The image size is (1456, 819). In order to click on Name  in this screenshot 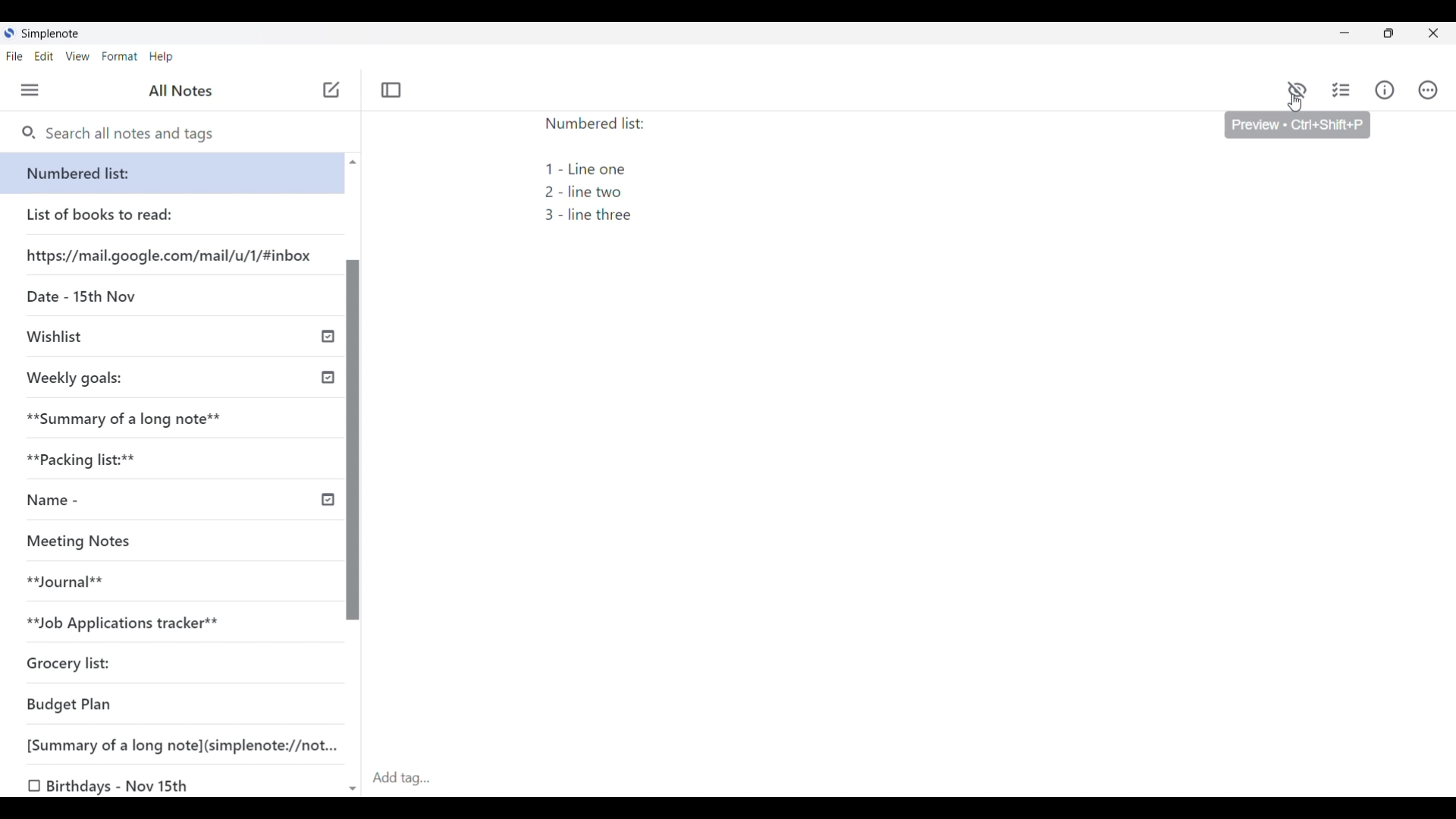, I will do `click(83, 506)`.